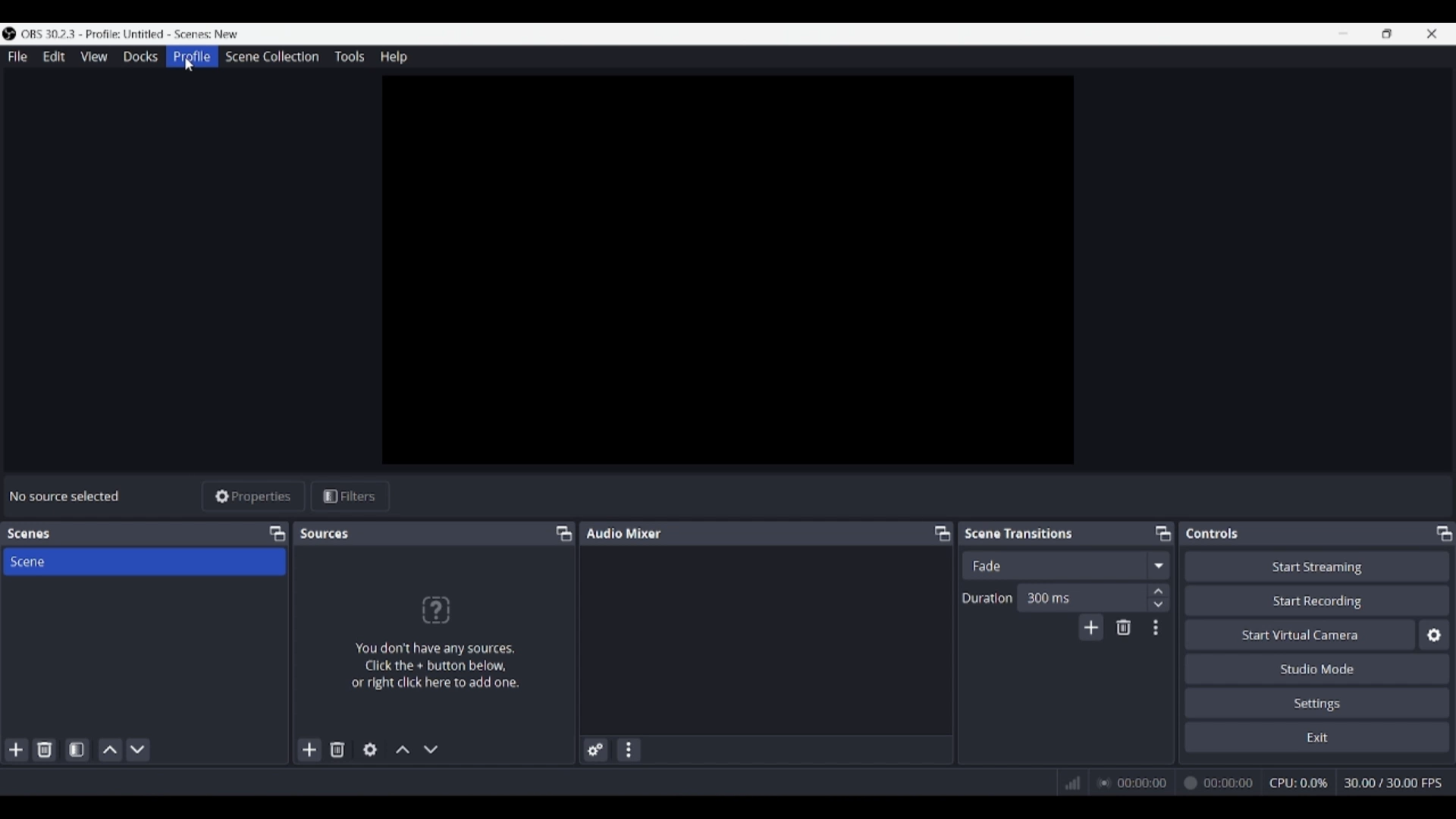 This screenshot has height=819, width=1456. I want to click on Properties, so click(254, 497).